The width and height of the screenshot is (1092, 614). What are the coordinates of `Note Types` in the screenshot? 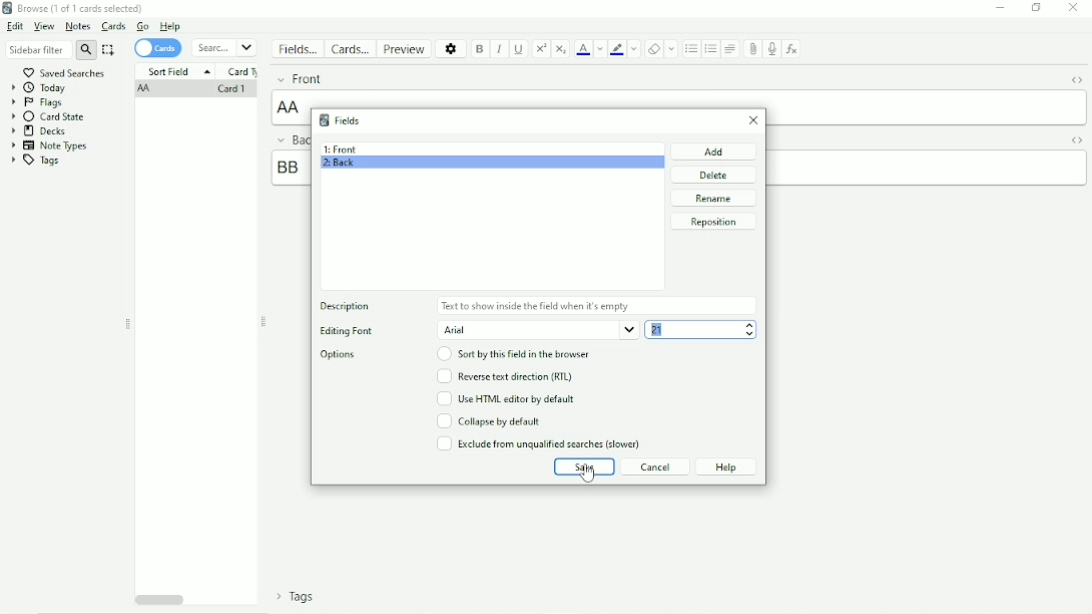 It's located at (50, 146).